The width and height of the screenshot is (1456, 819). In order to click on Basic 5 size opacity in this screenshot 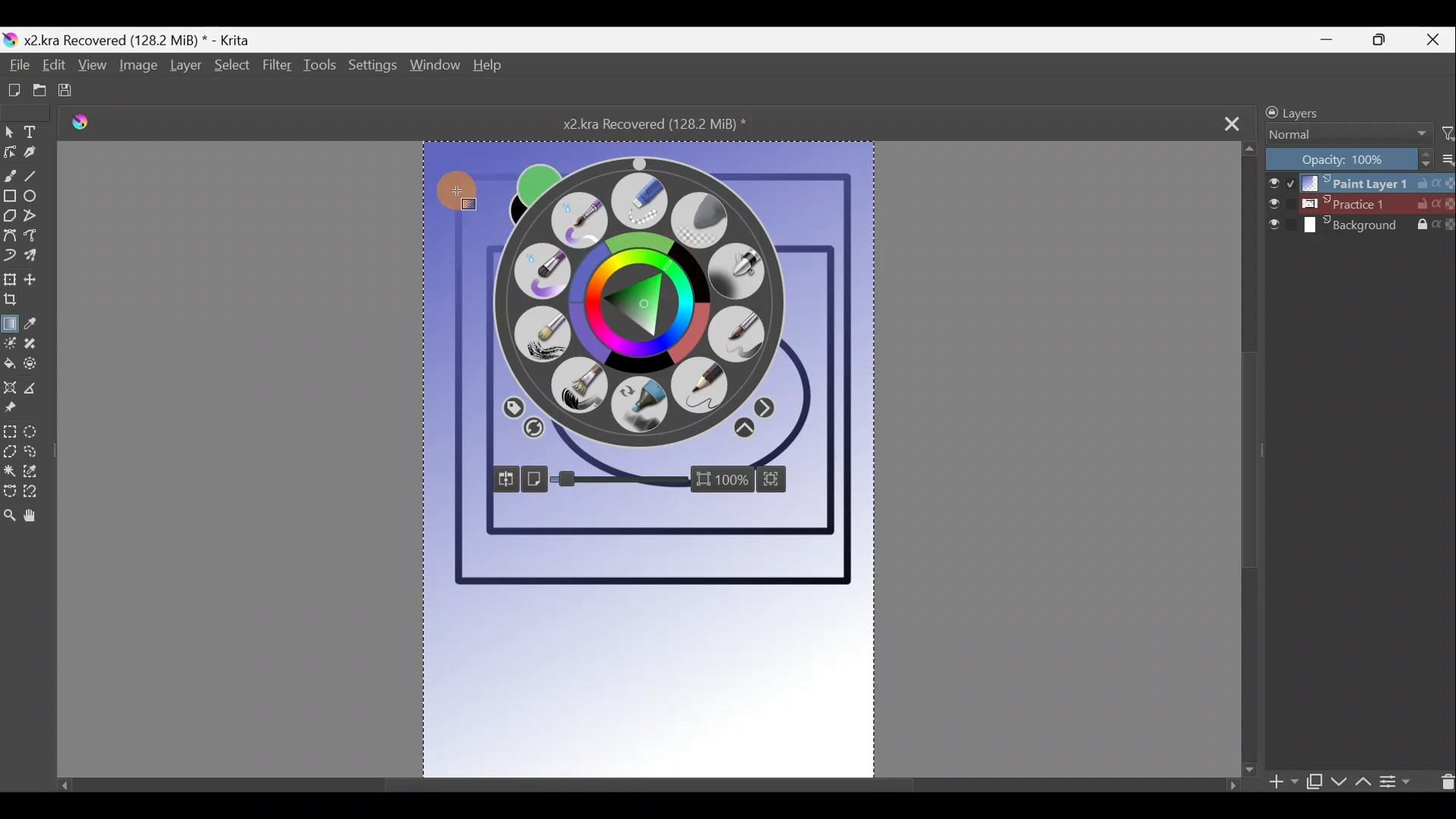, I will do `click(739, 335)`.